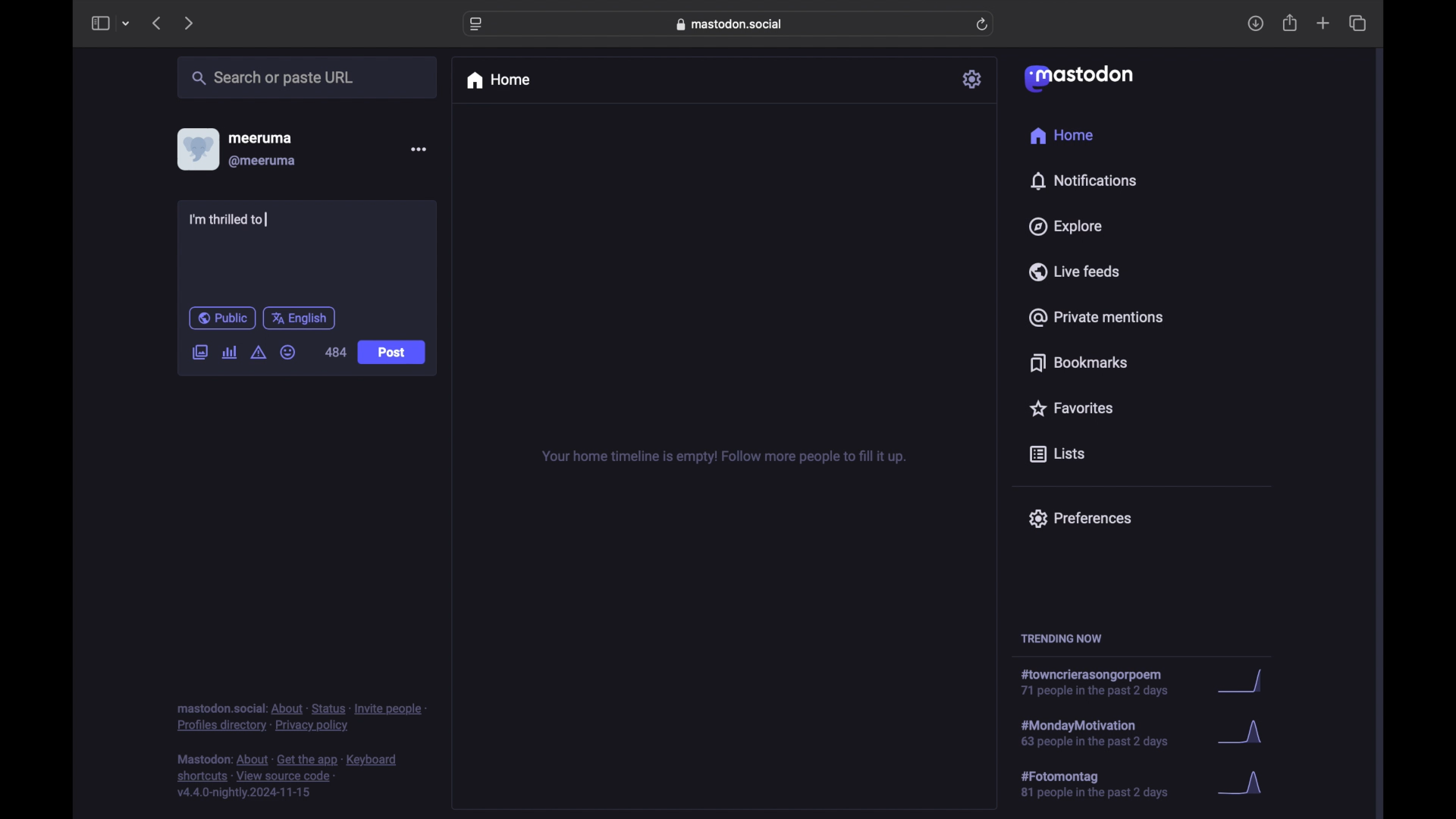 This screenshot has height=819, width=1456. I want to click on footnote, so click(301, 718).